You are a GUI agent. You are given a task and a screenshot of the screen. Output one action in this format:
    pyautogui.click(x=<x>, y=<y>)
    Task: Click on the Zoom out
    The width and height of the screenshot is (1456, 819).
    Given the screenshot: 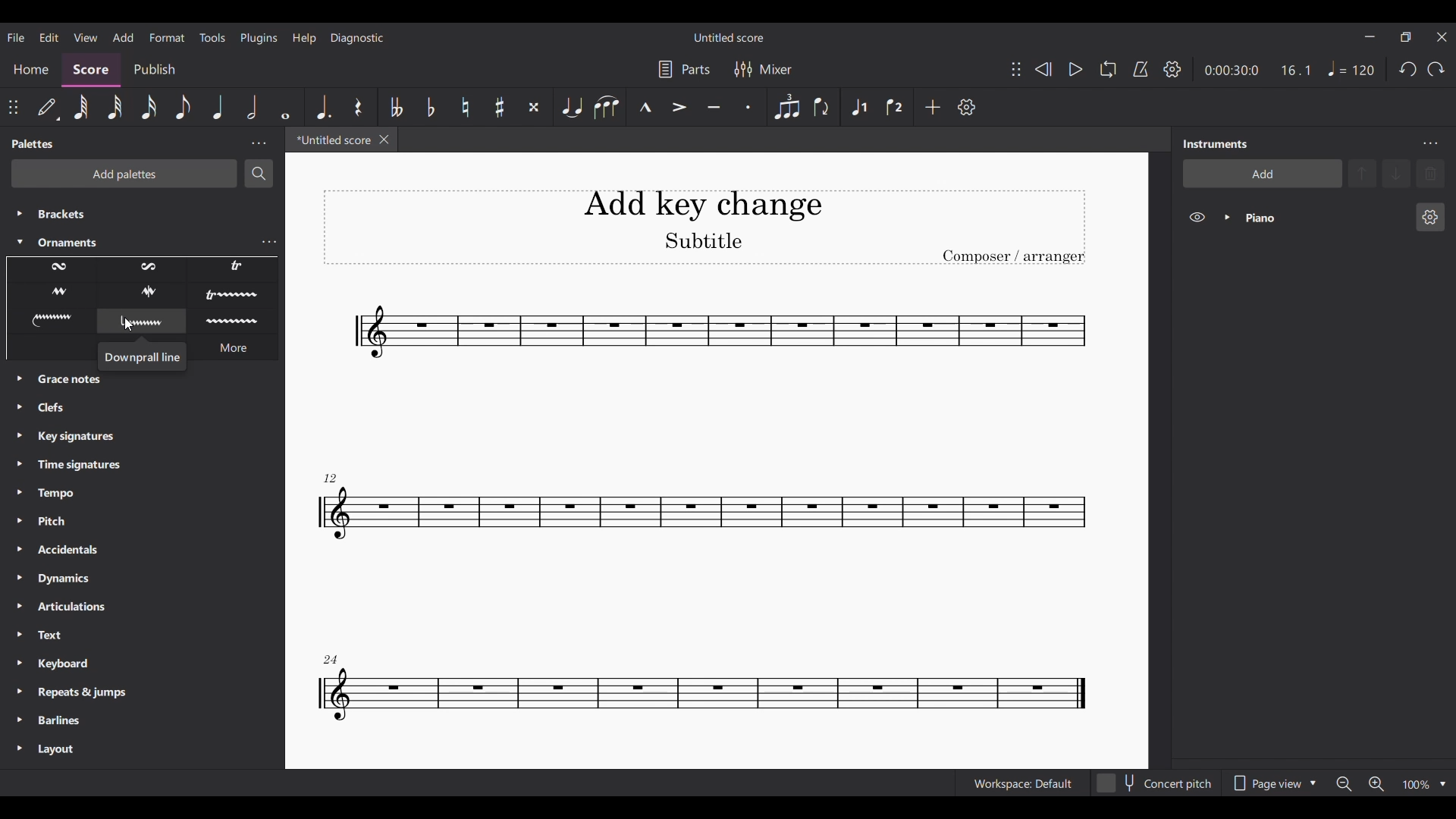 What is the action you would take?
    pyautogui.click(x=1343, y=783)
    